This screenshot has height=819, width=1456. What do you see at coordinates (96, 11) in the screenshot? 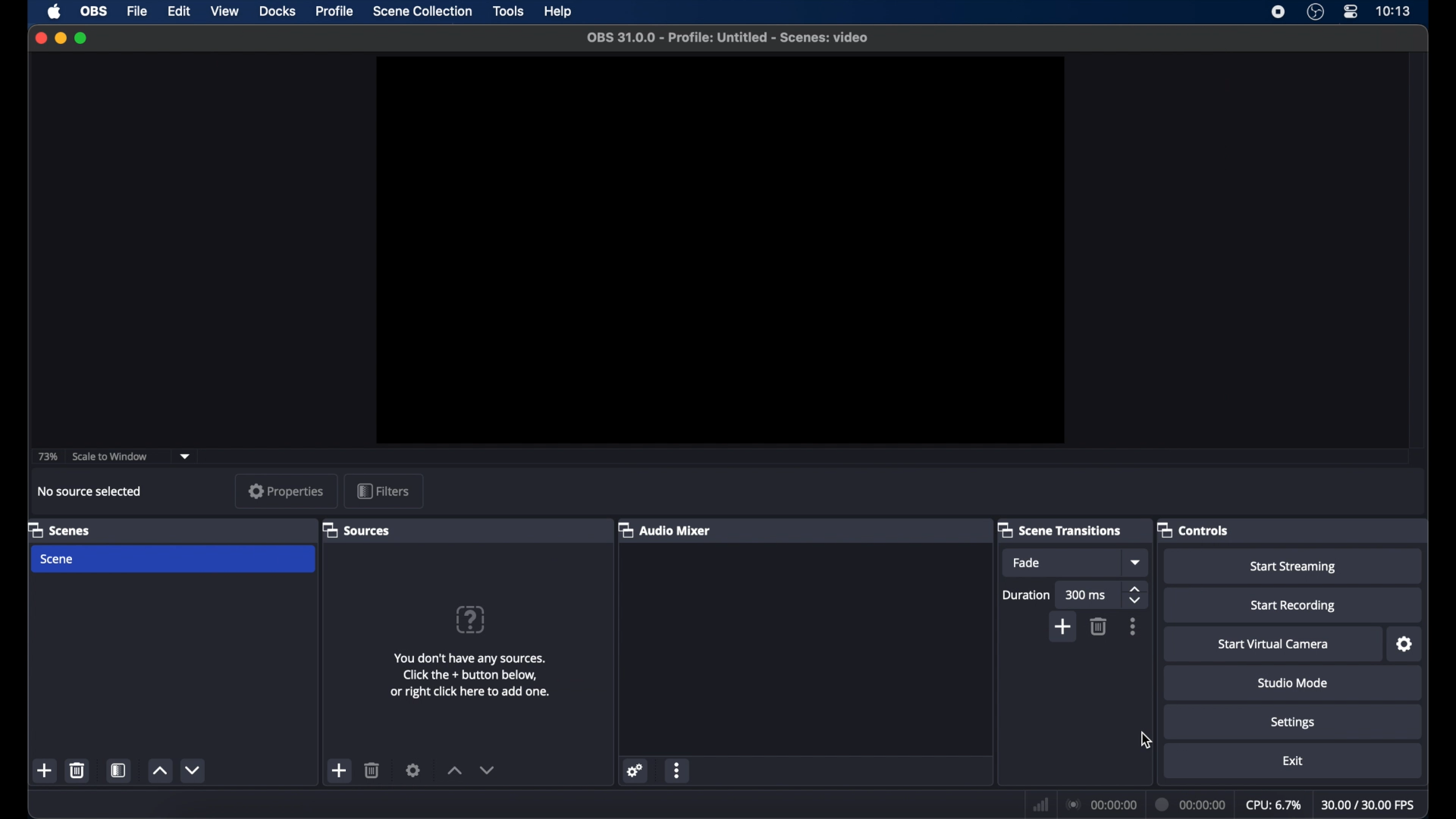
I see `obs` at bounding box center [96, 11].